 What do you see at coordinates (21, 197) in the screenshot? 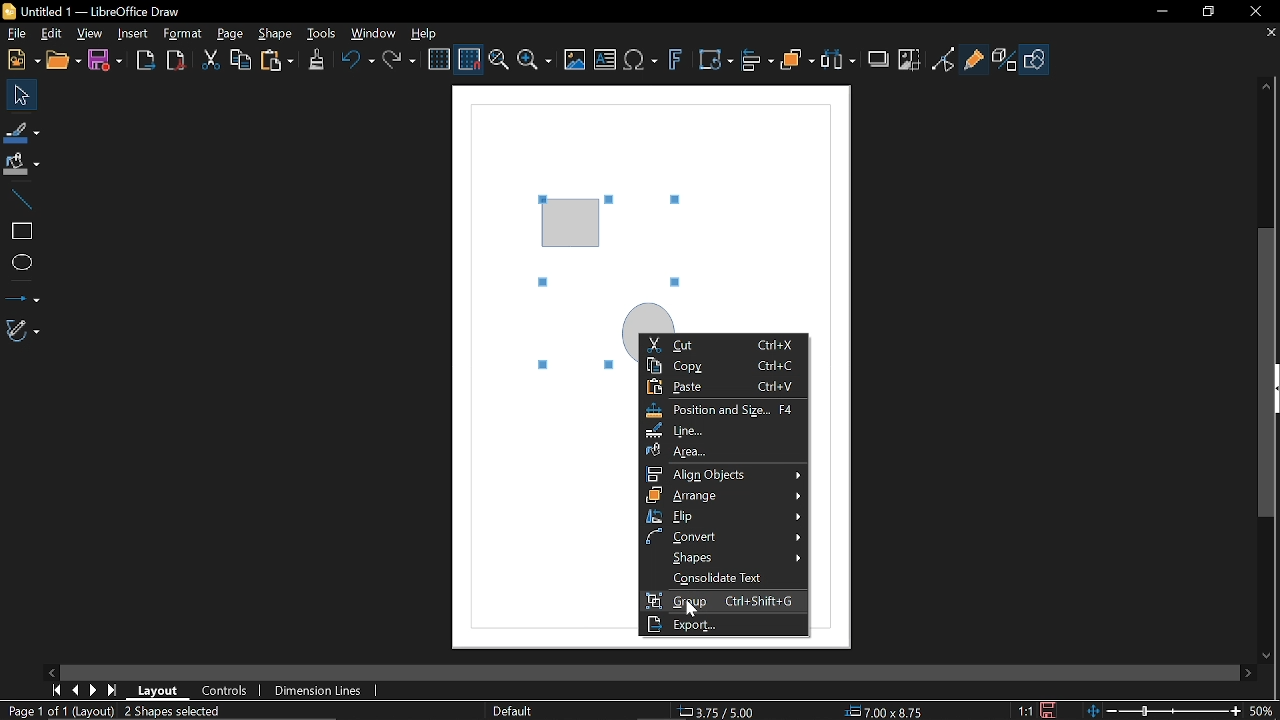
I see `Line` at bounding box center [21, 197].